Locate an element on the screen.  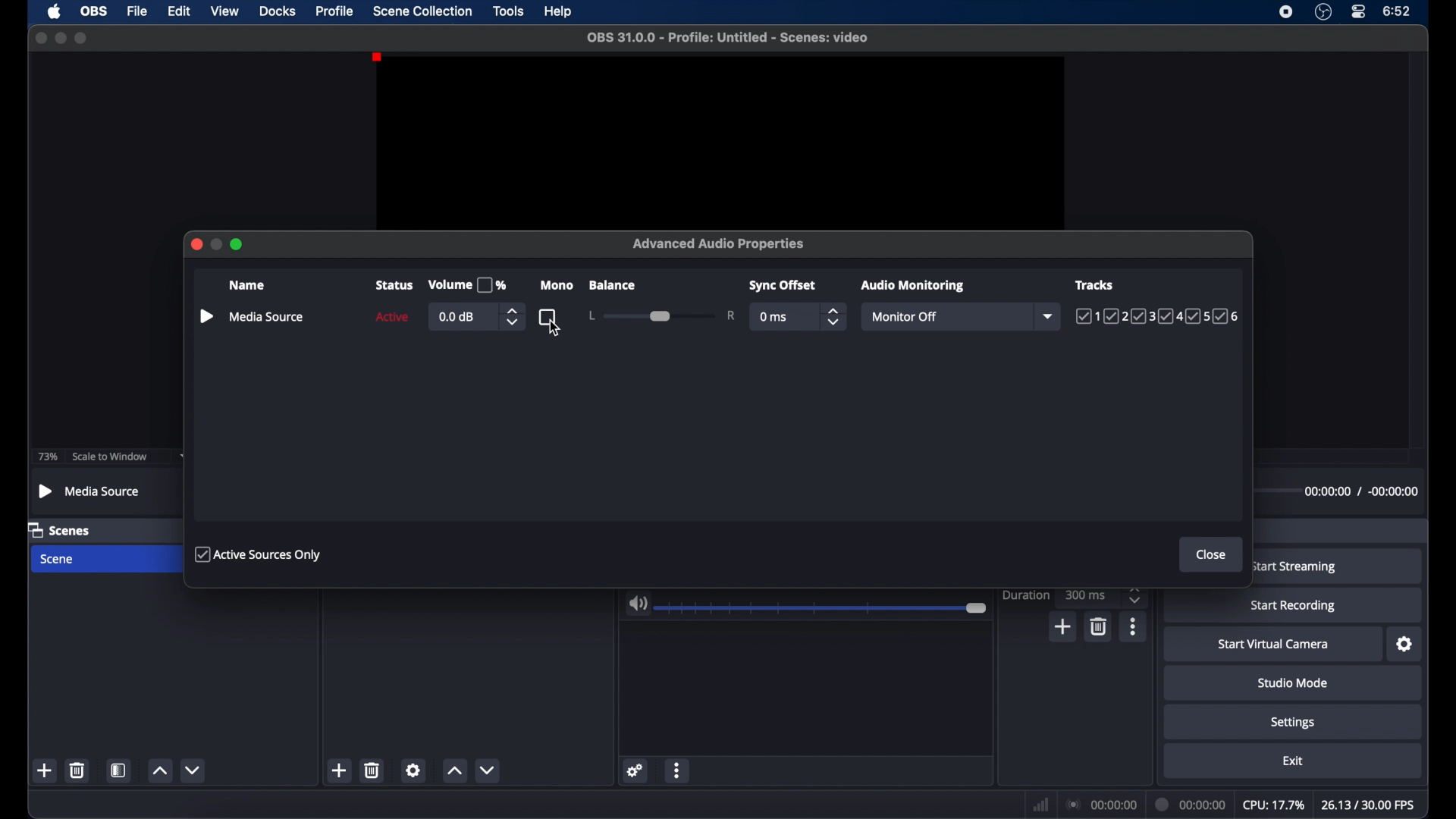
profile is located at coordinates (335, 11).